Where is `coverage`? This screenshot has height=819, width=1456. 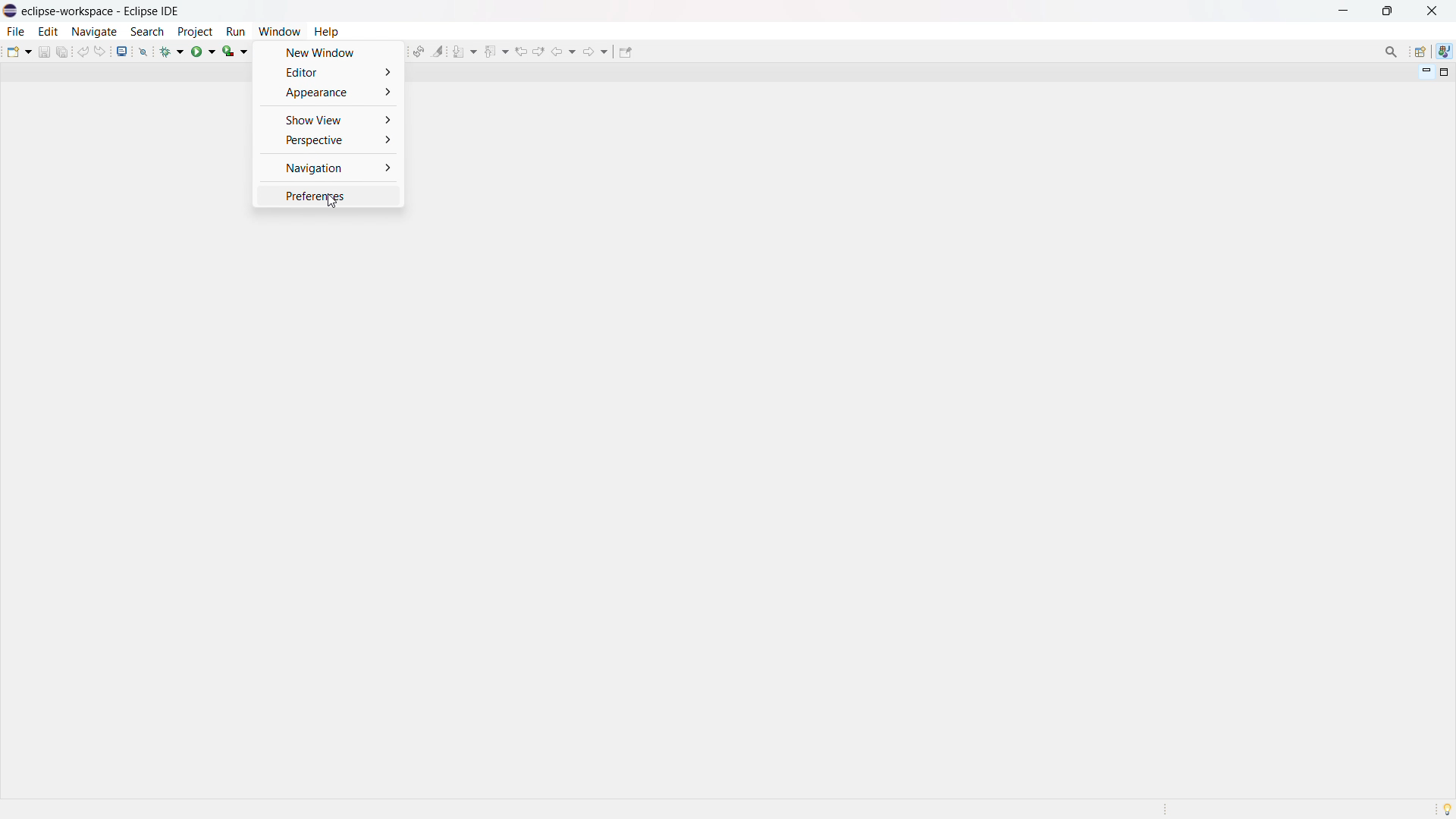 coverage is located at coordinates (235, 51).